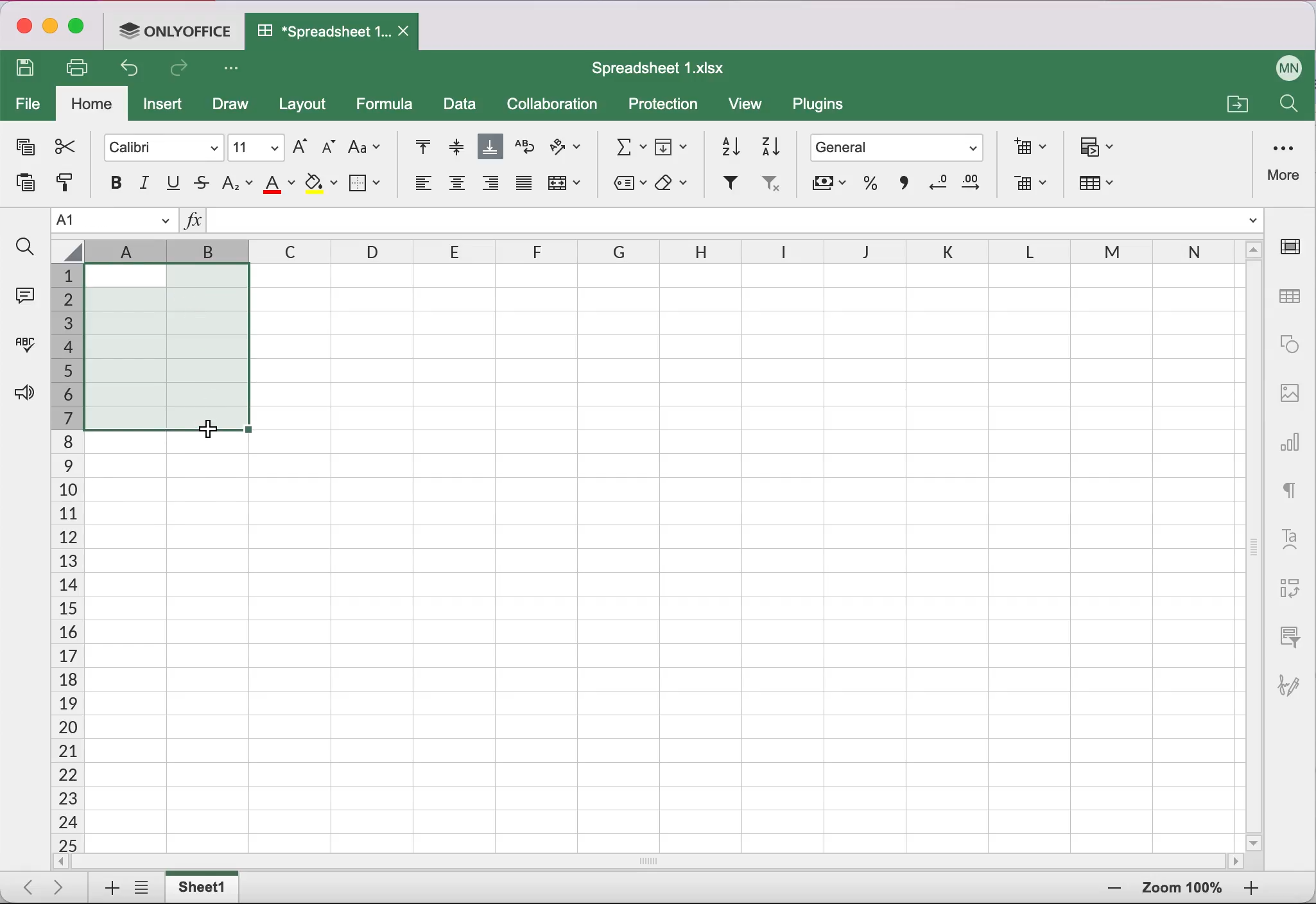 Image resolution: width=1316 pixels, height=904 pixels. I want to click on home, so click(92, 105).